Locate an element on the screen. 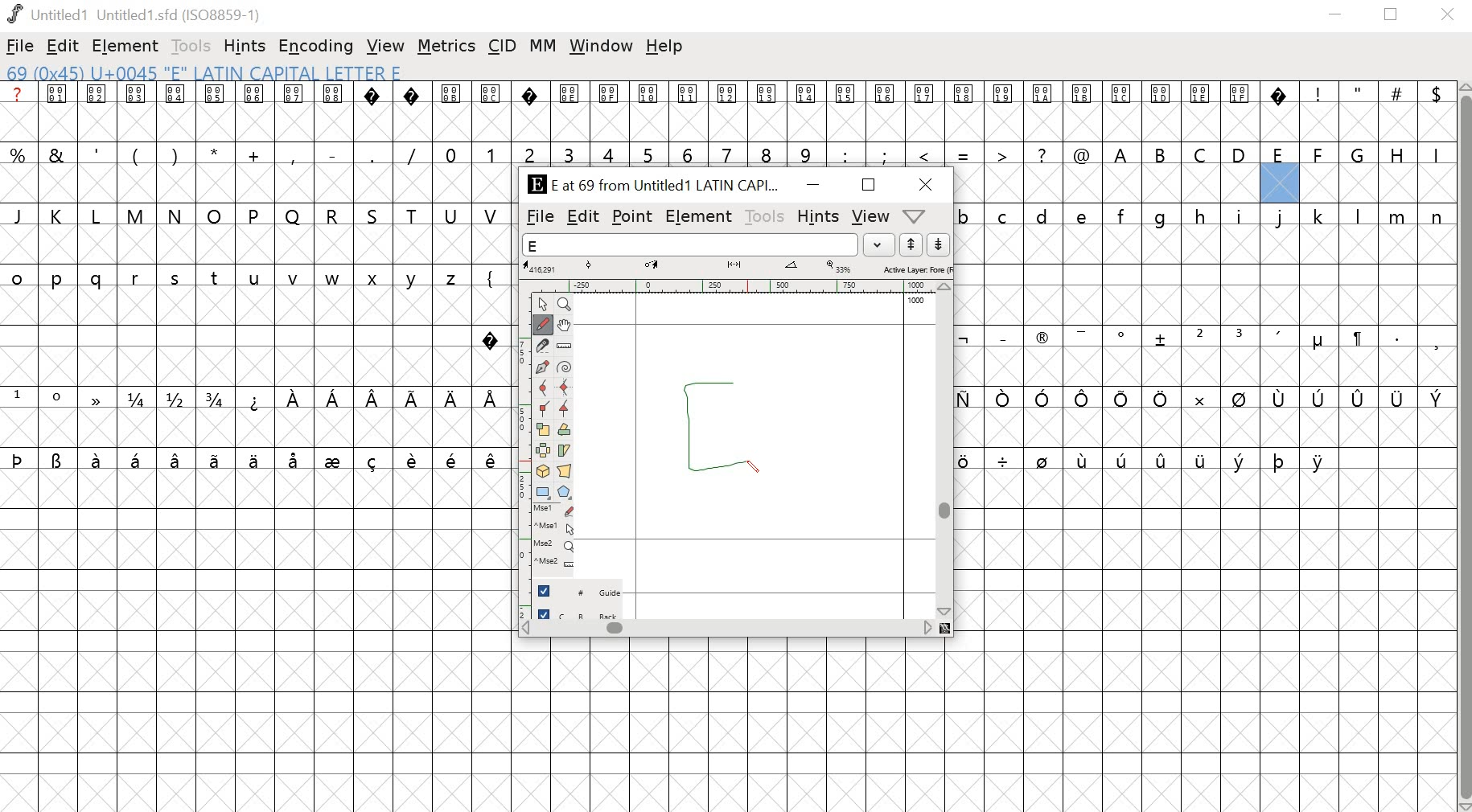 This screenshot has width=1472, height=812. empty cells is located at coordinates (253, 640).